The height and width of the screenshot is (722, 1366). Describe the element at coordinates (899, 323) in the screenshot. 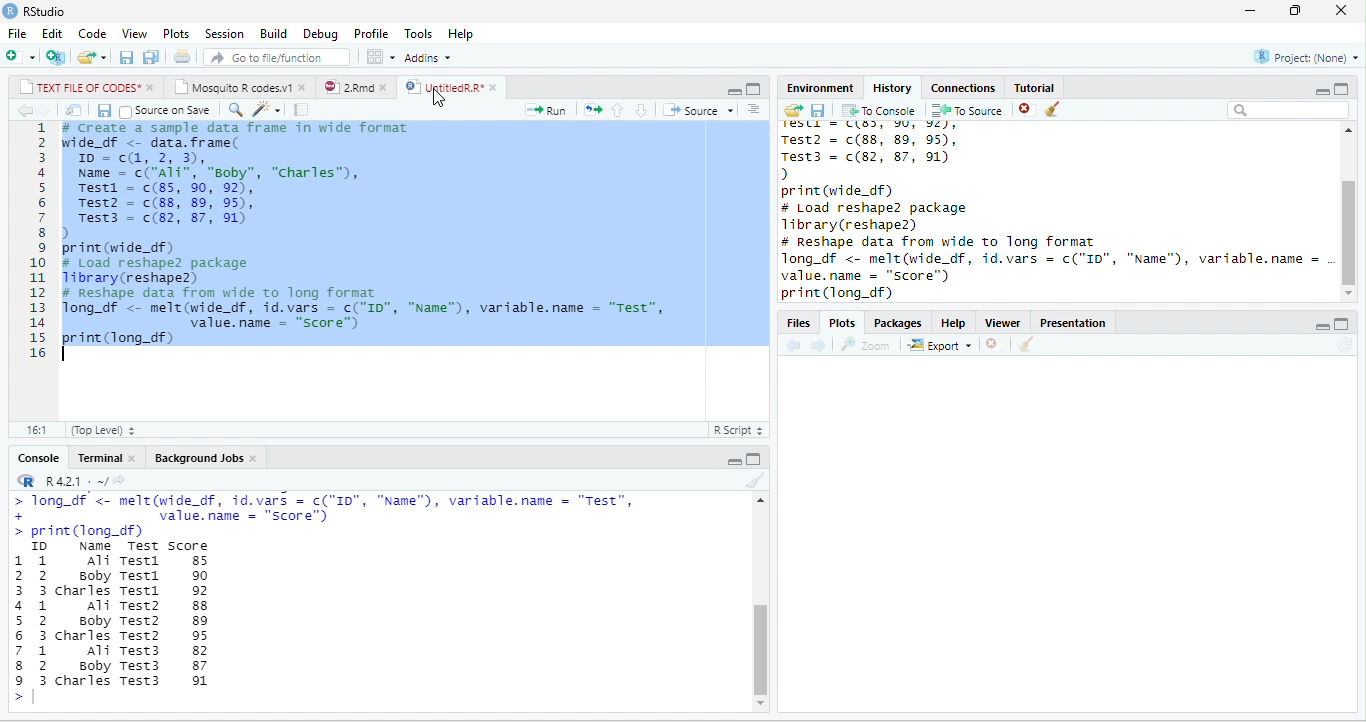

I see `Packages` at that location.